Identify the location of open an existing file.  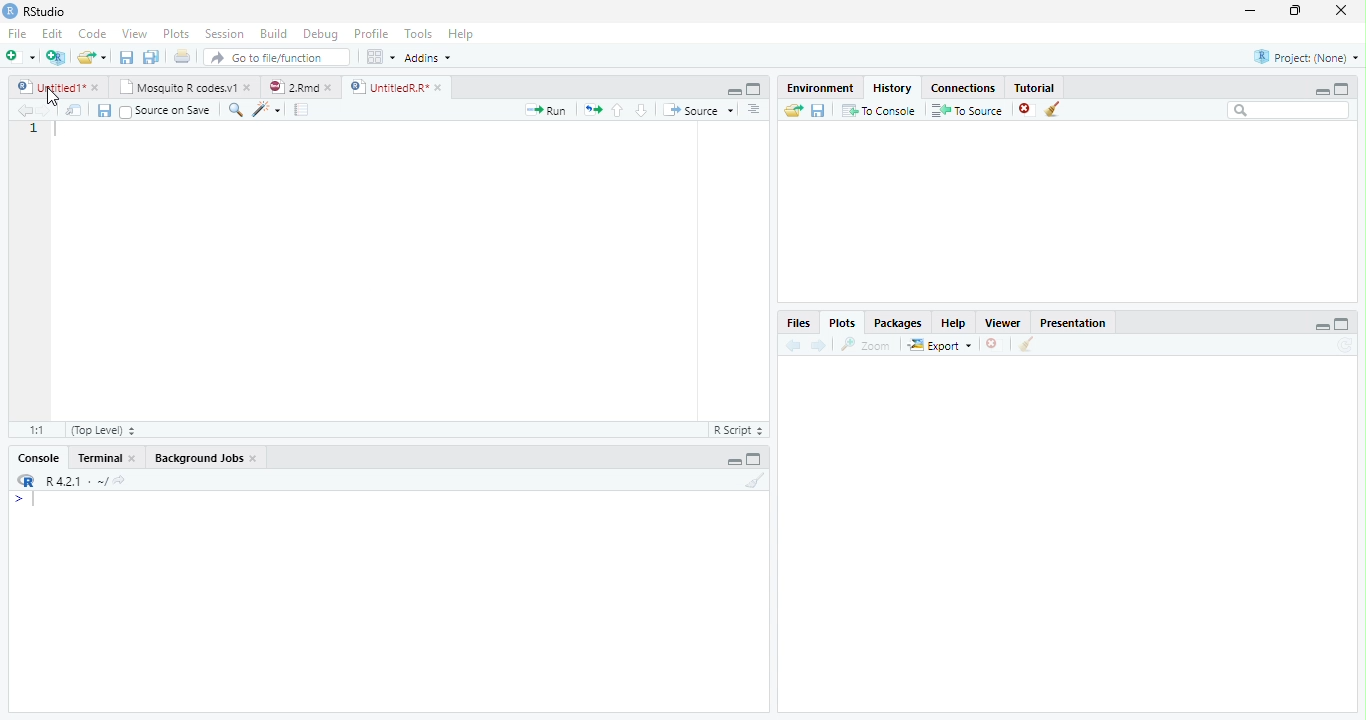
(90, 57).